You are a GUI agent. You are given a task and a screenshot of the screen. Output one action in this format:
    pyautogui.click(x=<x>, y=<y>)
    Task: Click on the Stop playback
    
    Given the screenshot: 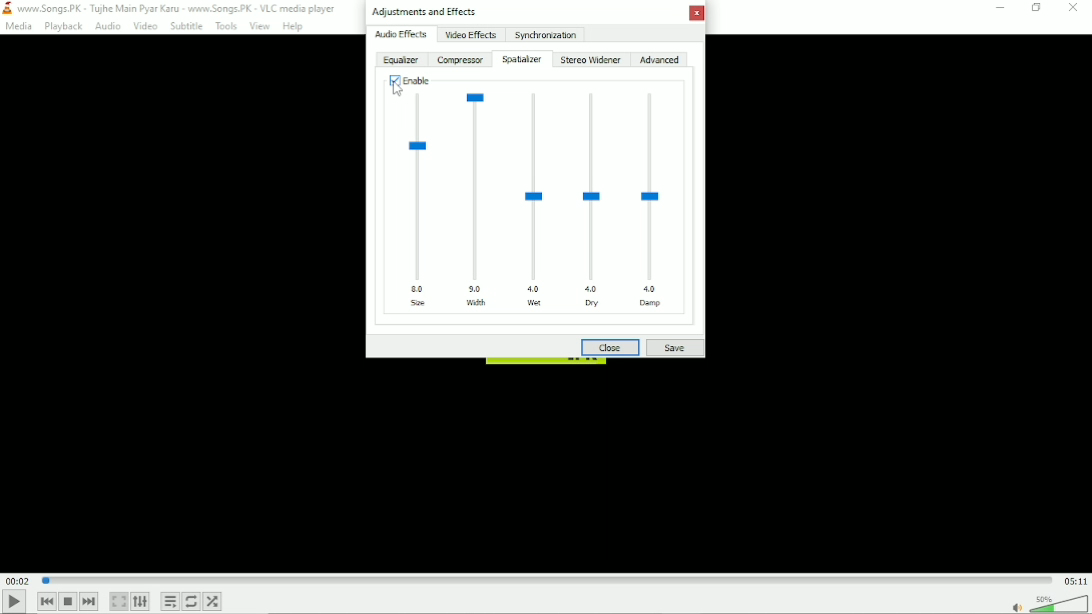 What is the action you would take?
    pyautogui.click(x=68, y=602)
    